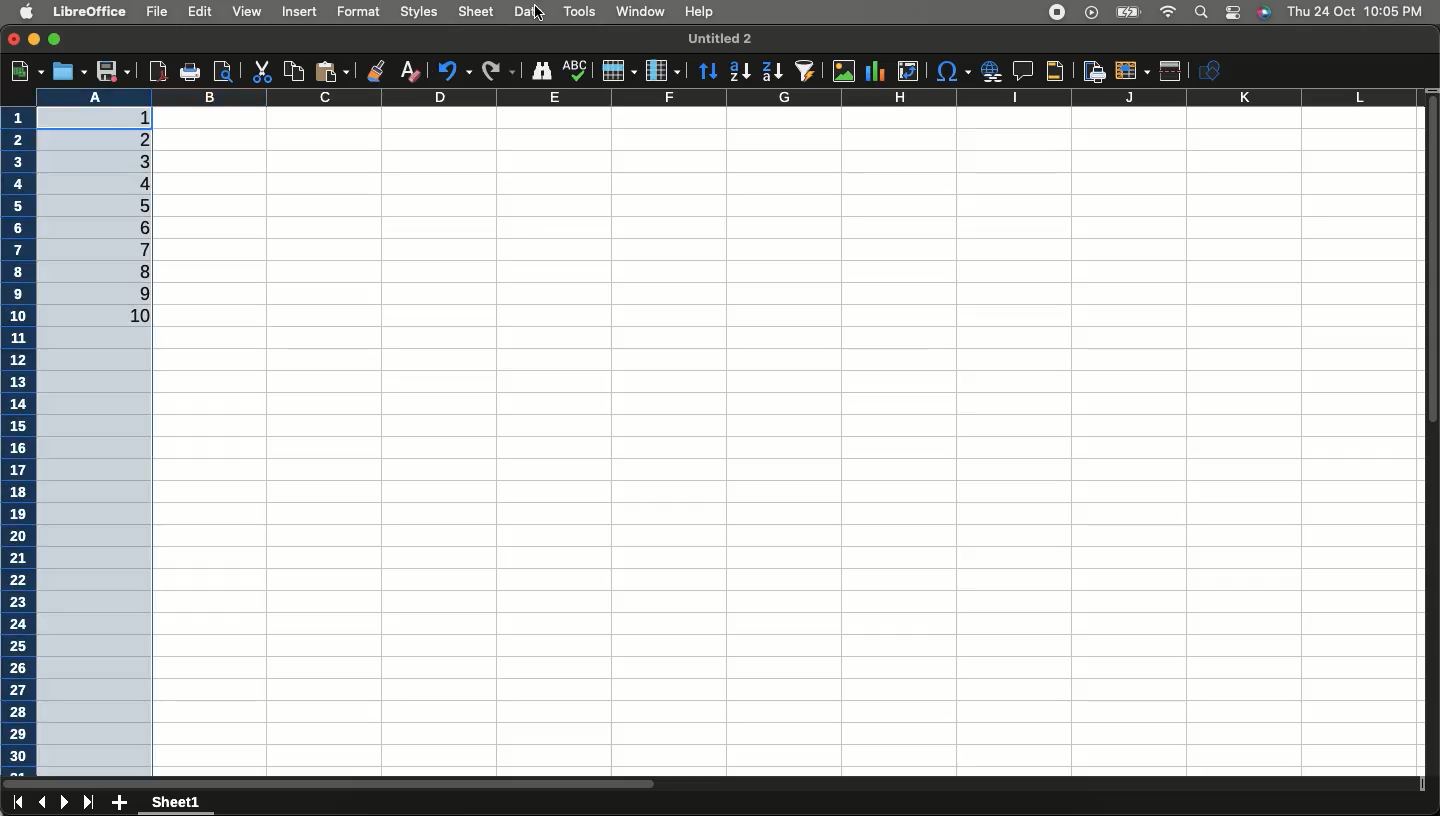  I want to click on Open, so click(68, 72).